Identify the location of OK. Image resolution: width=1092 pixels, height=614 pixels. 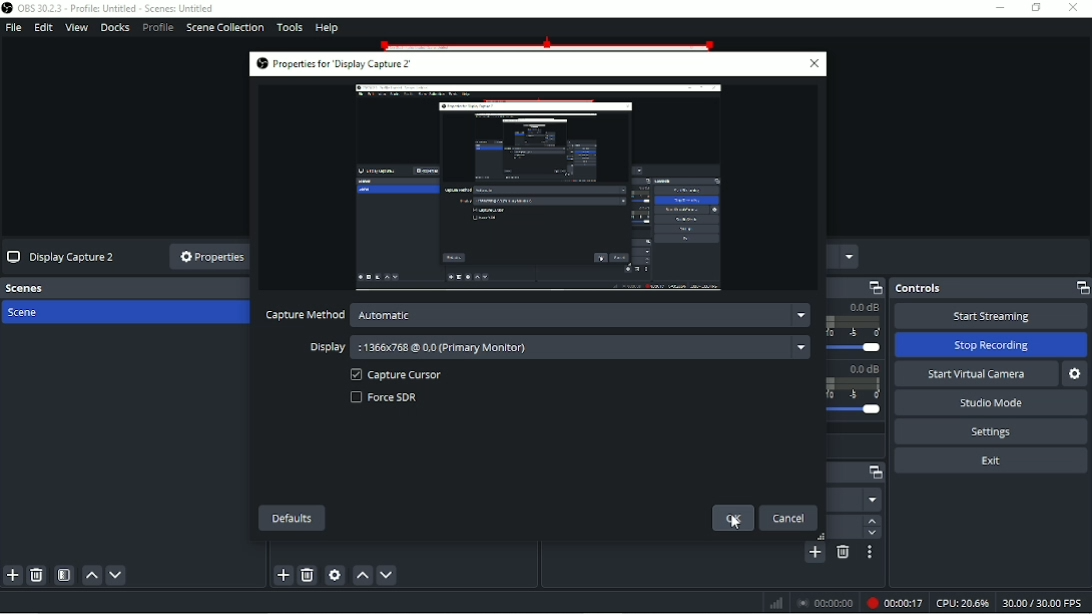
(732, 519).